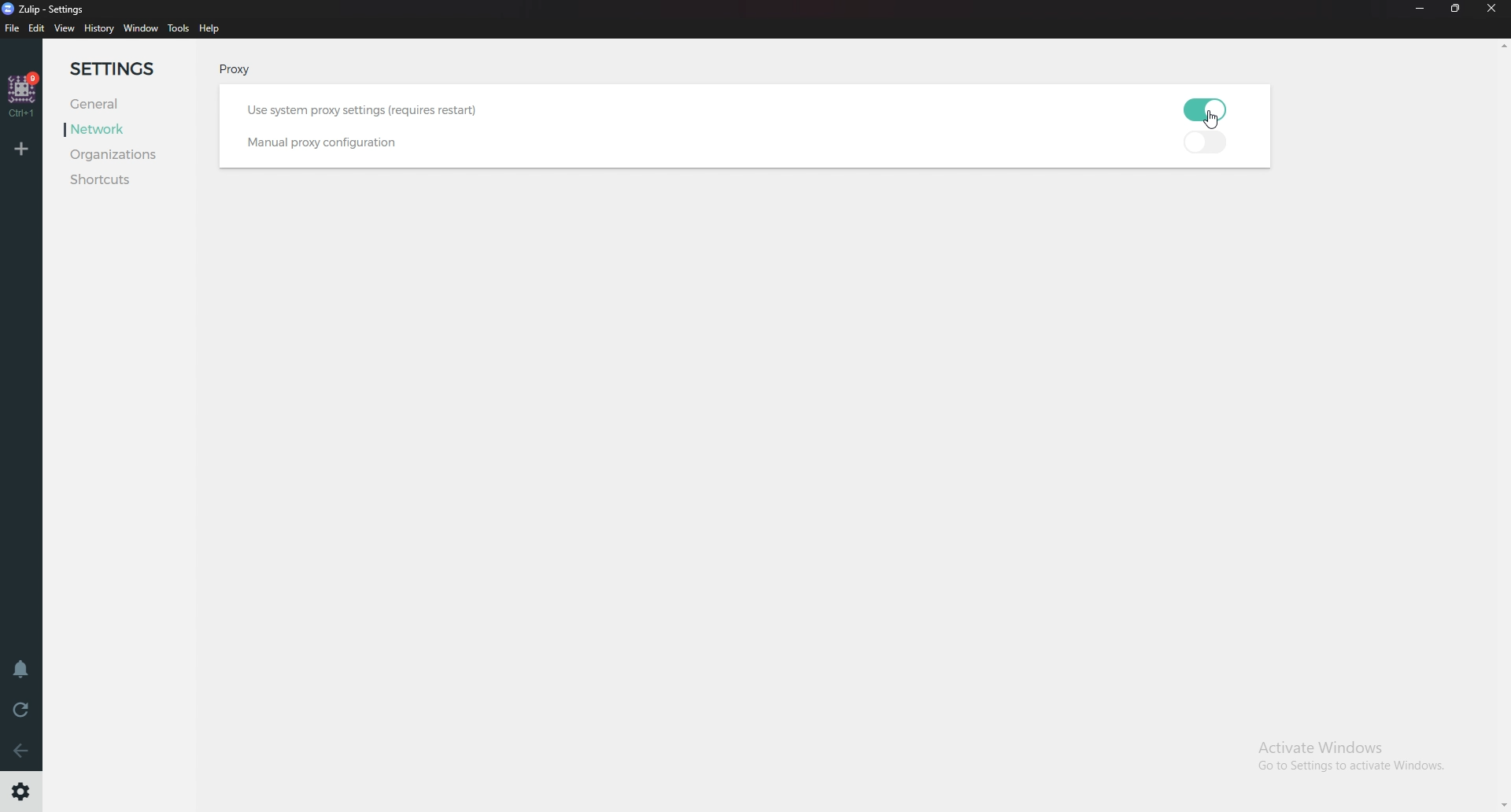 This screenshot has width=1511, height=812. I want to click on General, so click(126, 105).